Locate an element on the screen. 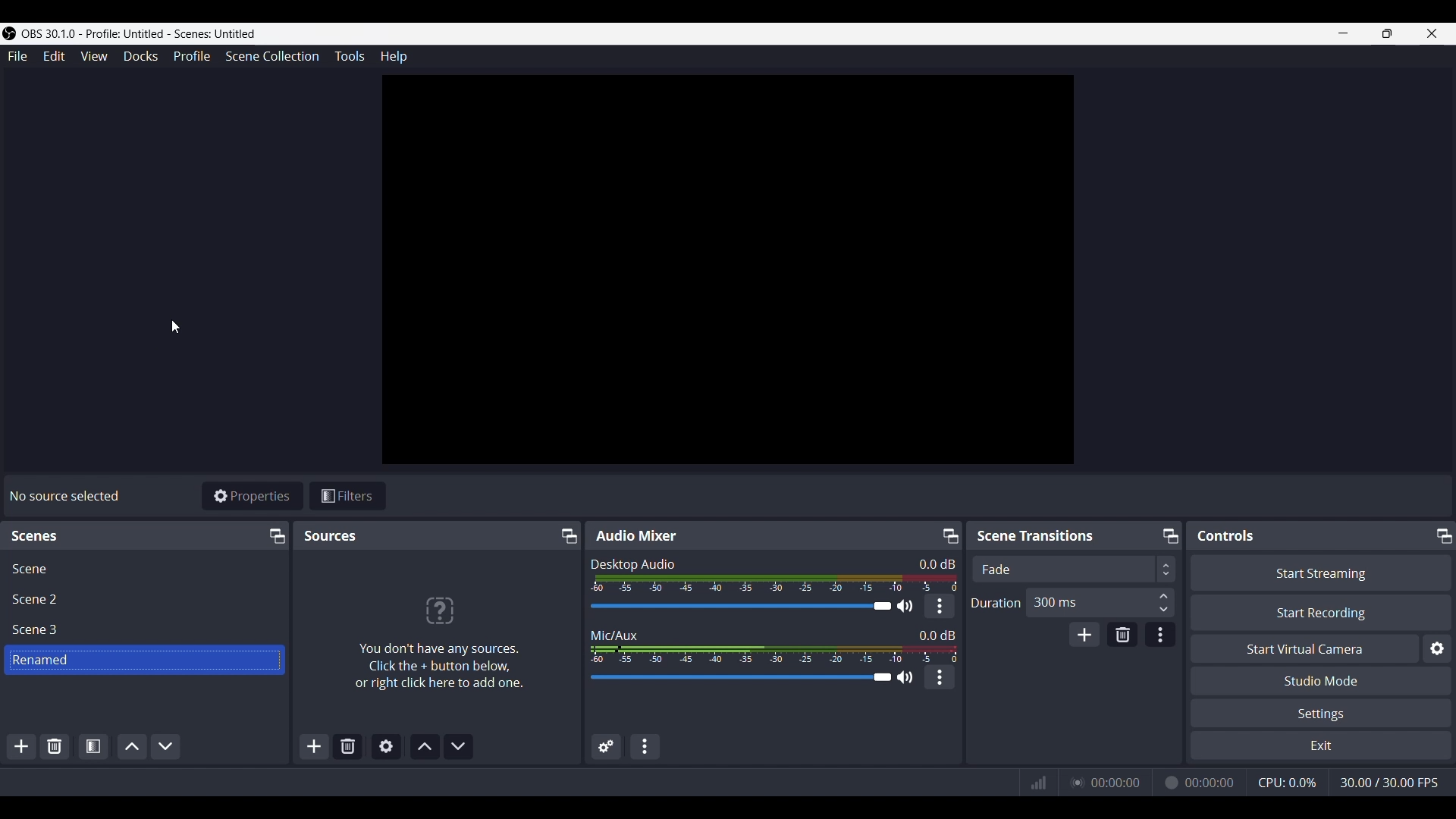 Image resolution: width=1456 pixels, height=819 pixels. Transition Type Dropdown is located at coordinates (1247, 569).